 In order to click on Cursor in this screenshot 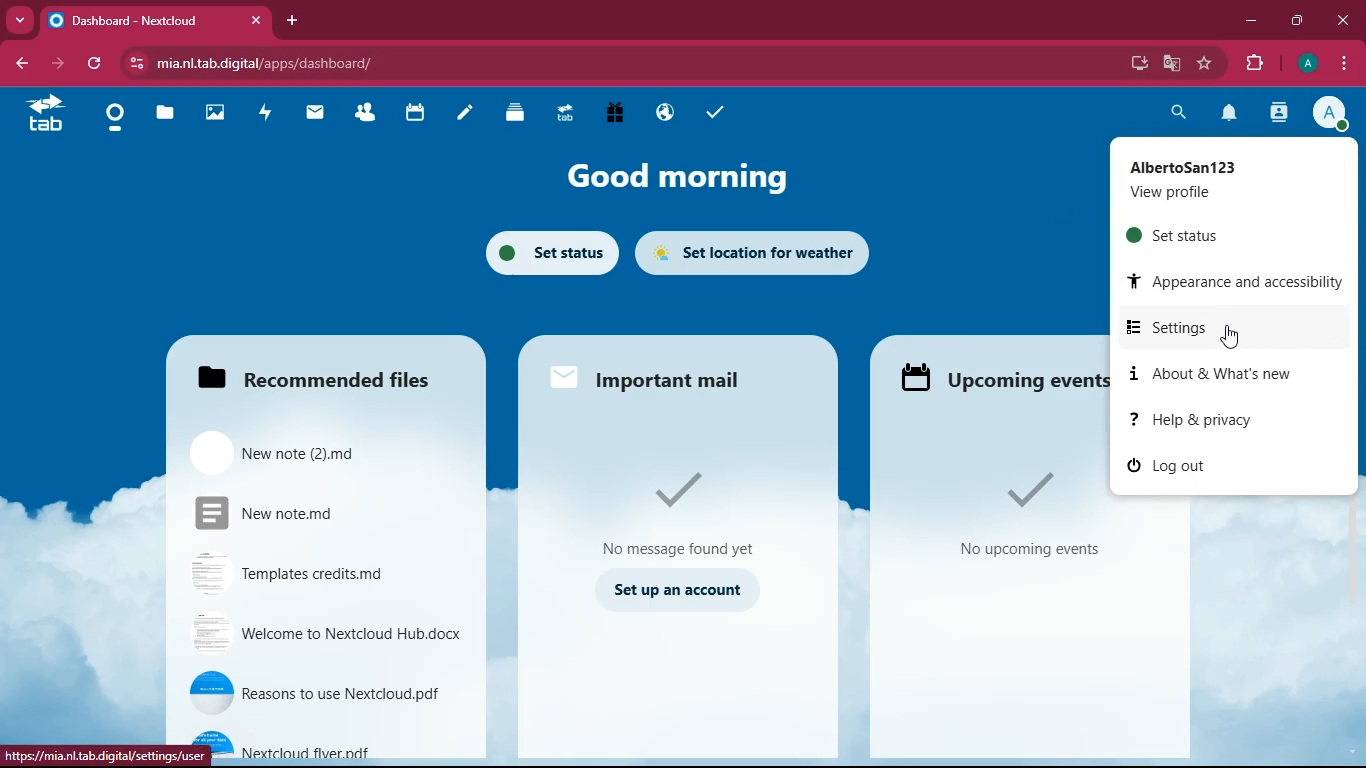, I will do `click(1231, 335)`.